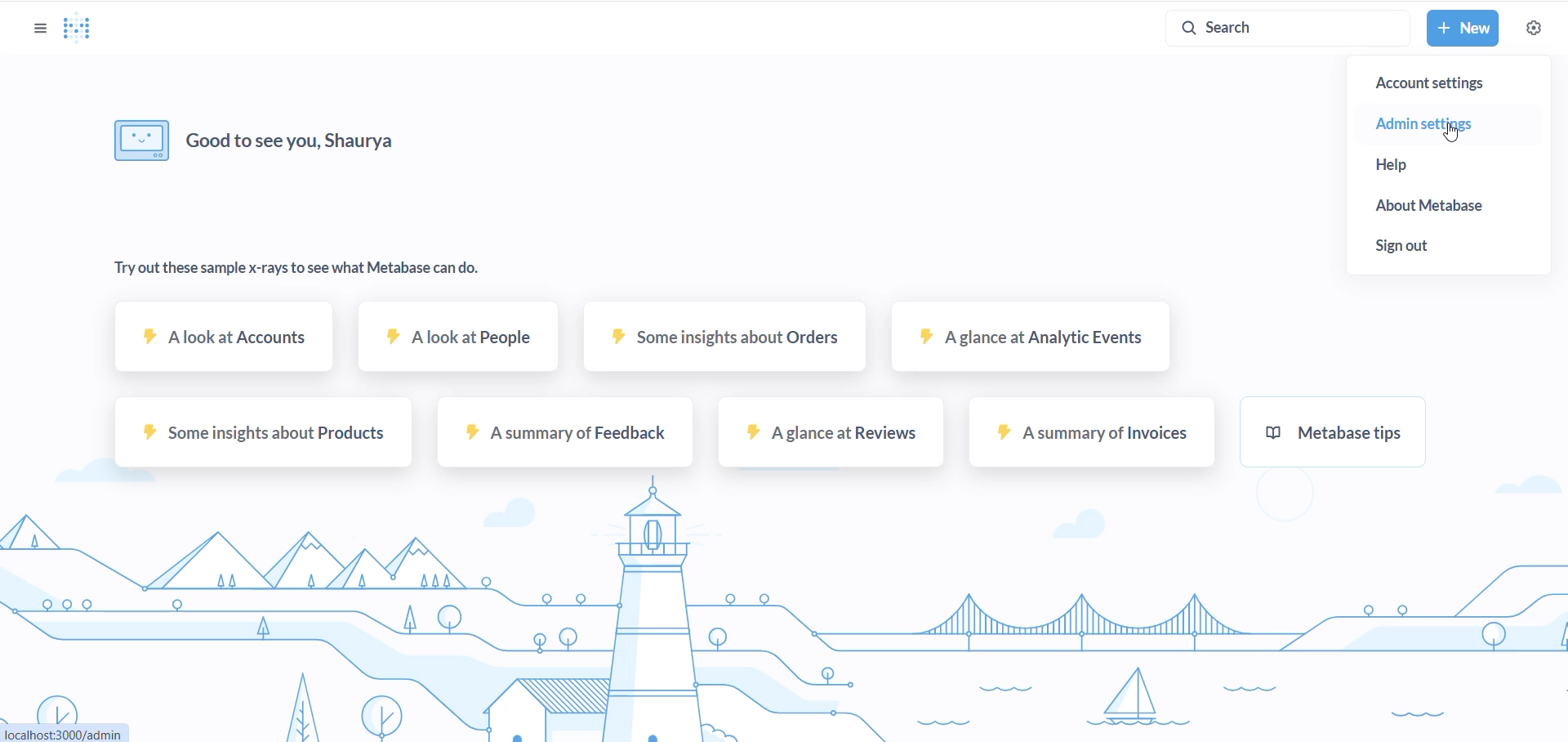 The image size is (1568, 742). What do you see at coordinates (1451, 136) in the screenshot?
I see `cursor` at bounding box center [1451, 136].